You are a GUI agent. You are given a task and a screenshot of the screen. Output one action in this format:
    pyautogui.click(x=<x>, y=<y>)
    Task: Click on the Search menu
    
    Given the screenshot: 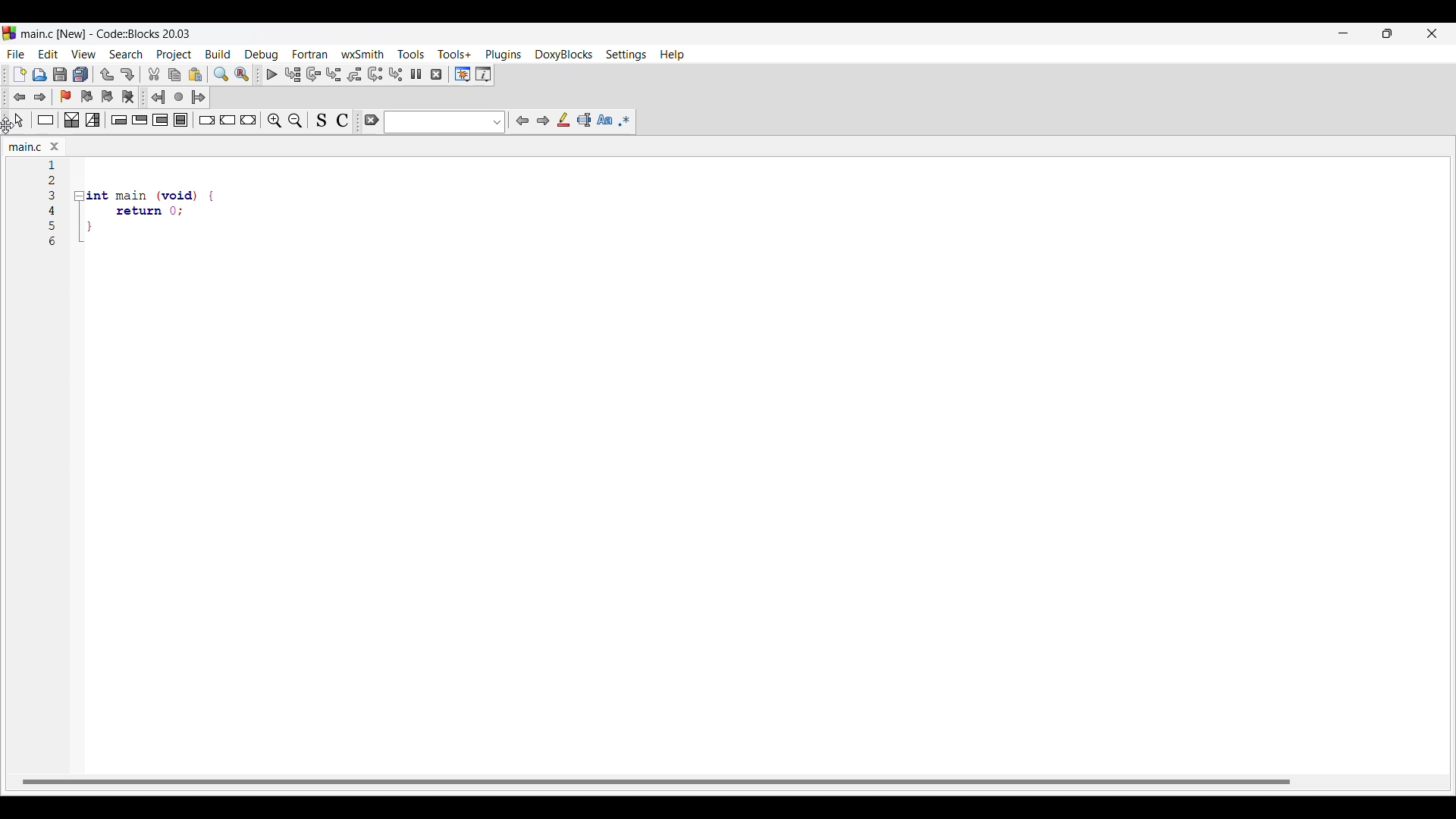 What is the action you would take?
    pyautogui.click(x=127, y=54)
    